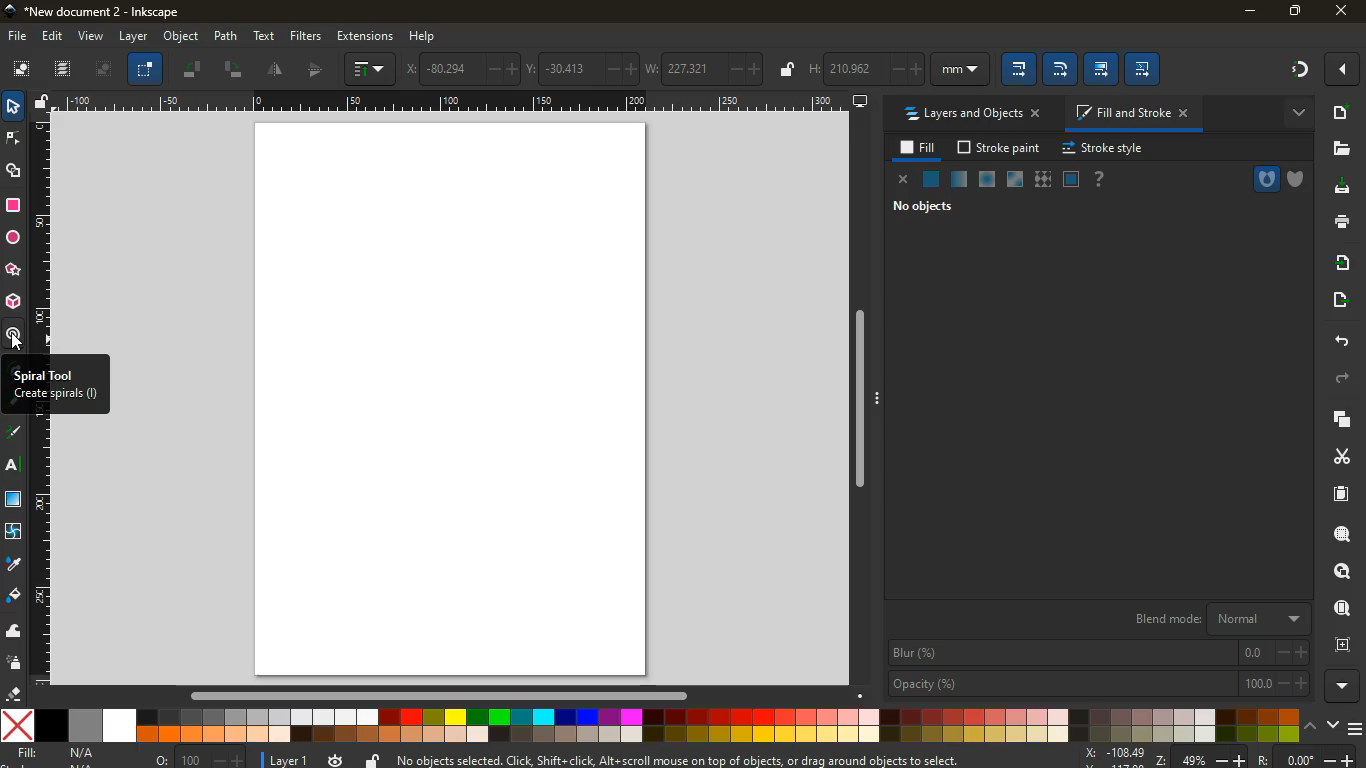 The image size is (1366, 768). Describe the element at coordinates (1101, 69) in the screenshot. I see `edit` at that location.